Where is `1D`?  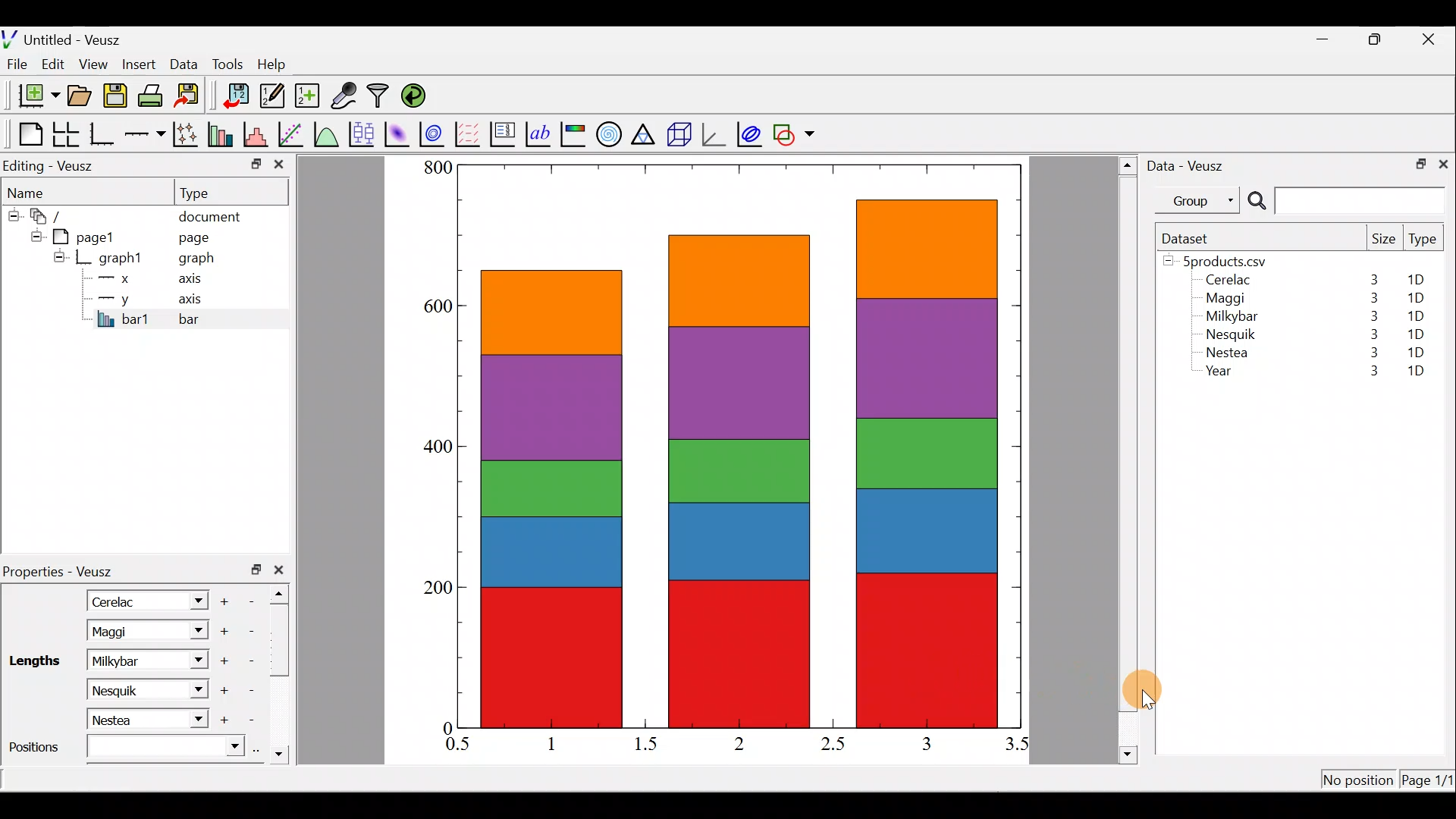
1D is located at coordinates (1416, 352).